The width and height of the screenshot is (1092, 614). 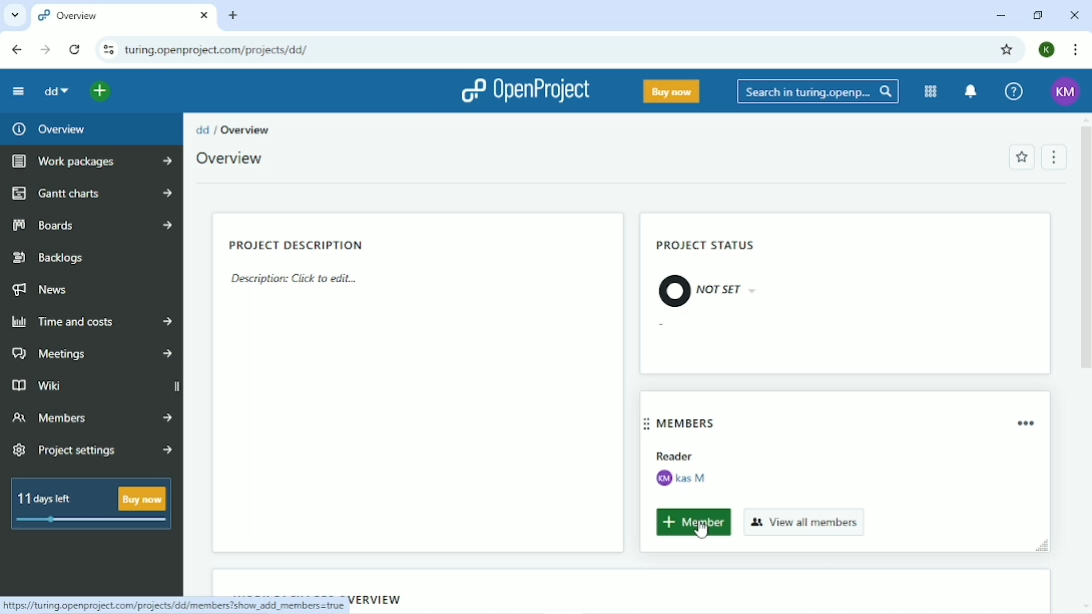 What do you see at coordinates (94, 386) in the screenshot?
I see `Wiki` at bounding box center [94, 386].